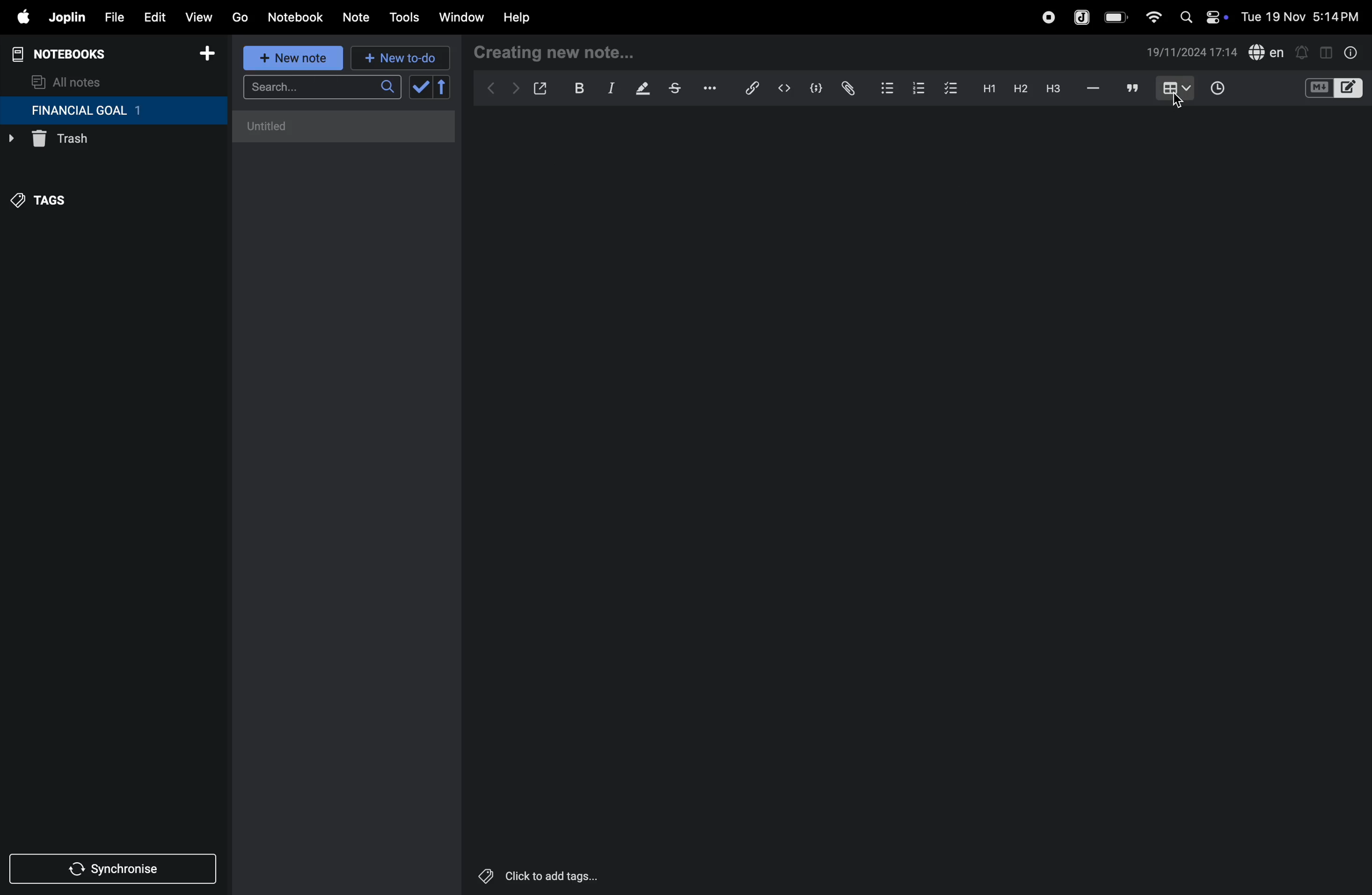 The image size is (1372, 895). I want to click on financial goal, so click(113, 111).